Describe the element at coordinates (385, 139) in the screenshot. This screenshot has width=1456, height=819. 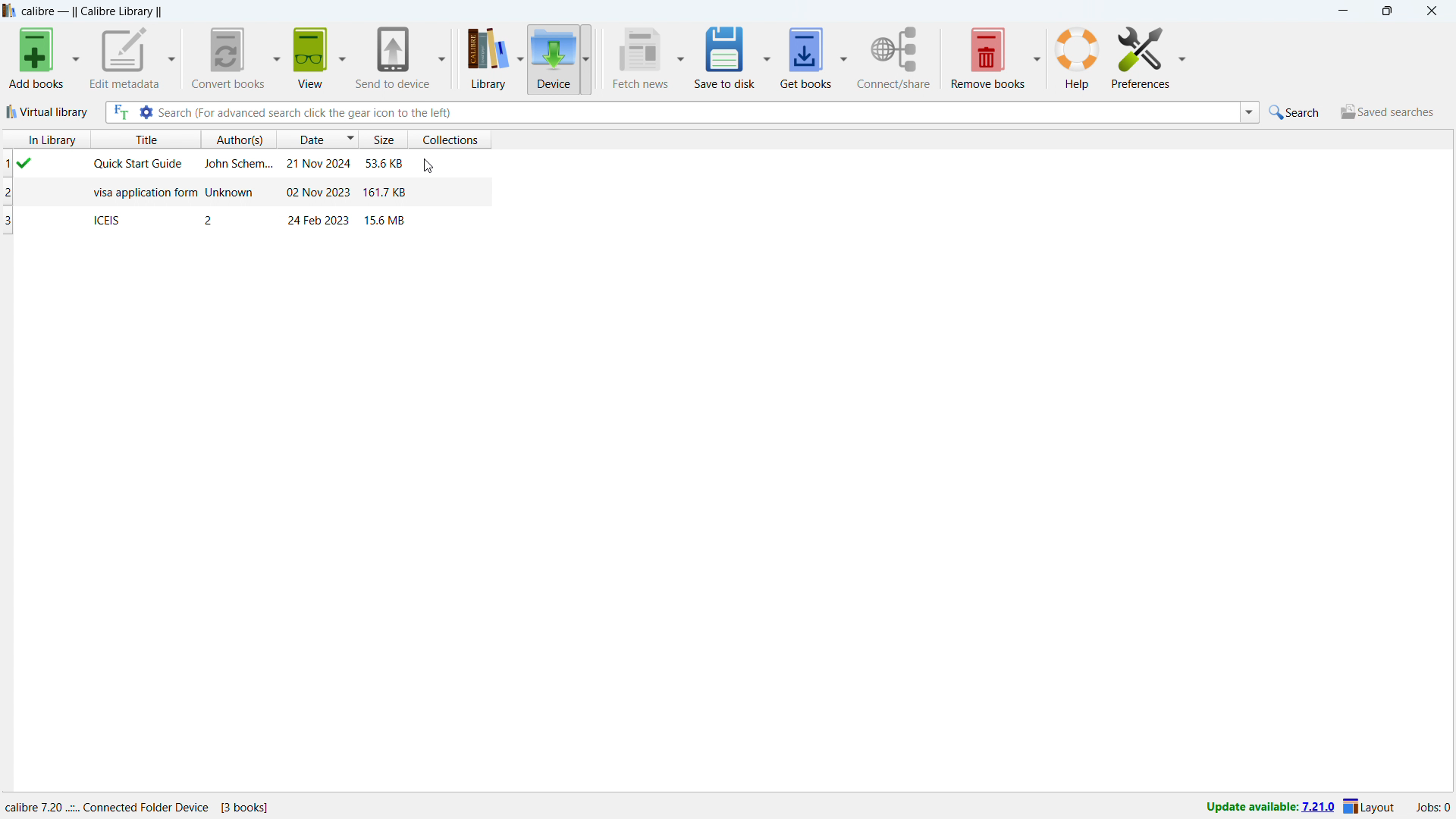
I see `sort by size` at that location.